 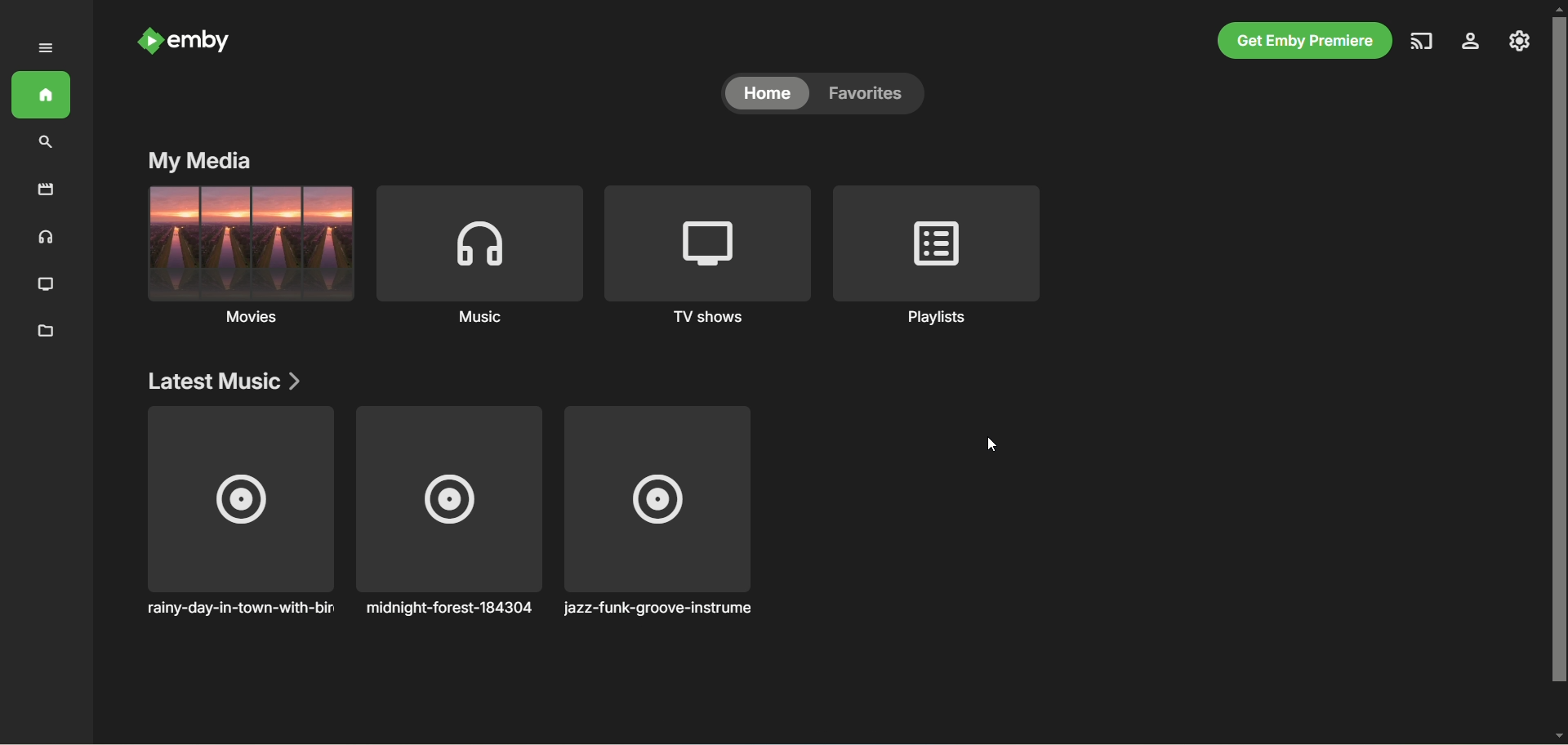 I want to click on Emby logo, so click(x=149, y=41).